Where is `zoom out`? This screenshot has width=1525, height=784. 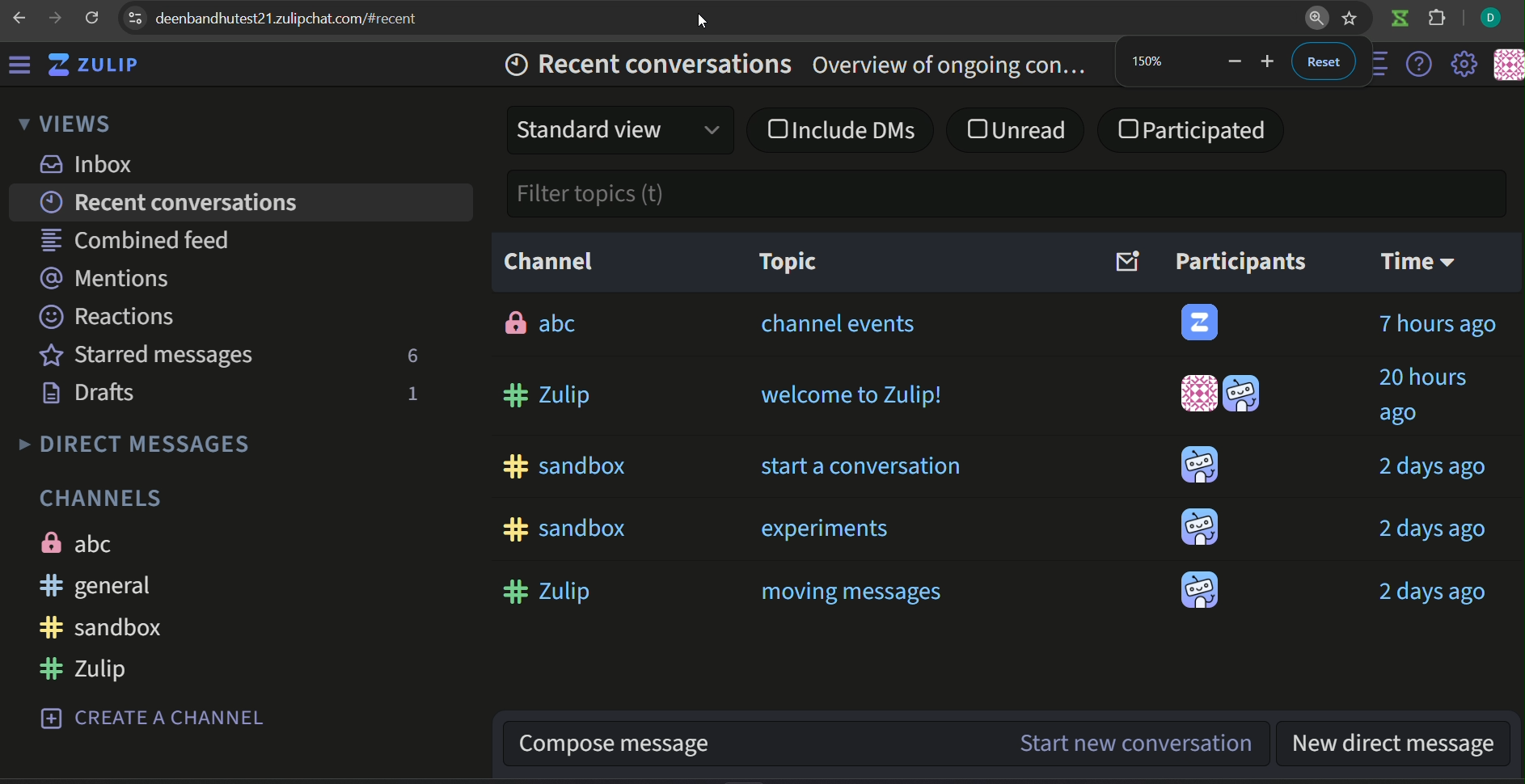 zoom out is located at coordinates (1232, 61).